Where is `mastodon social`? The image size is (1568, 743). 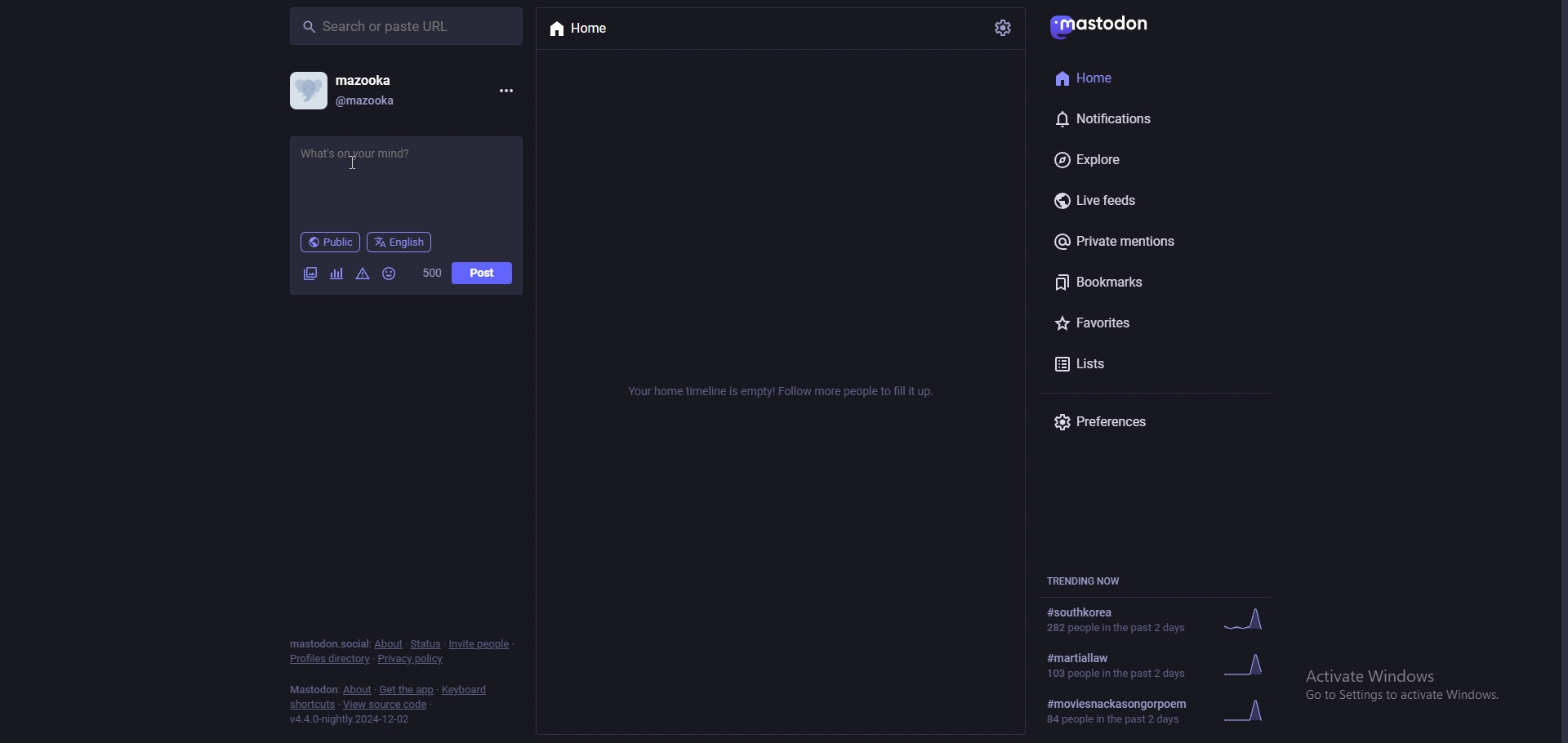
mastodon social is located at coordinates (327, 643).